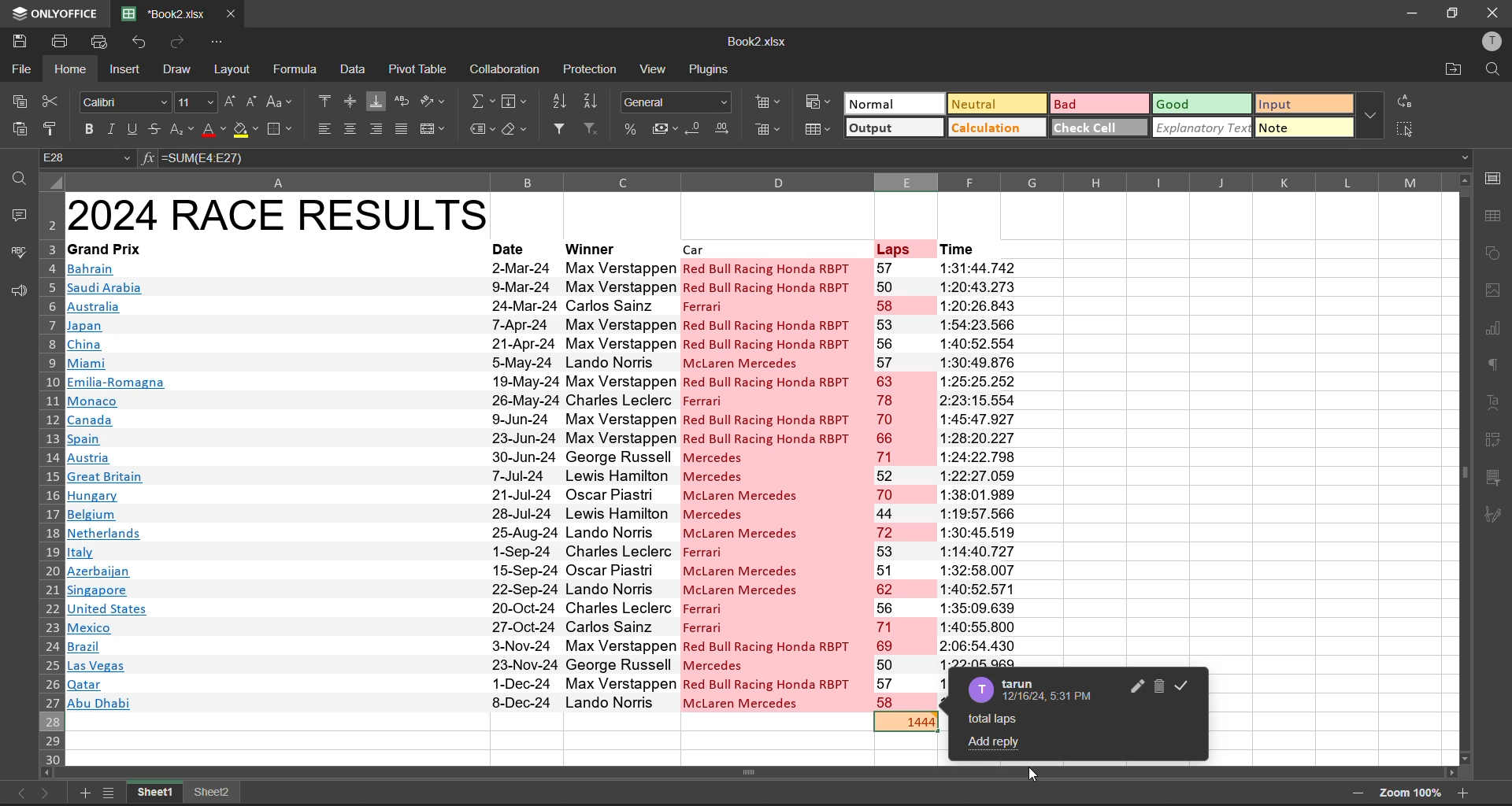 This screenshot has width=1512, height=806. What do you see at coordinates (510, 105) in the screenshot?
I see `fields` at bounding box center [510, 105].